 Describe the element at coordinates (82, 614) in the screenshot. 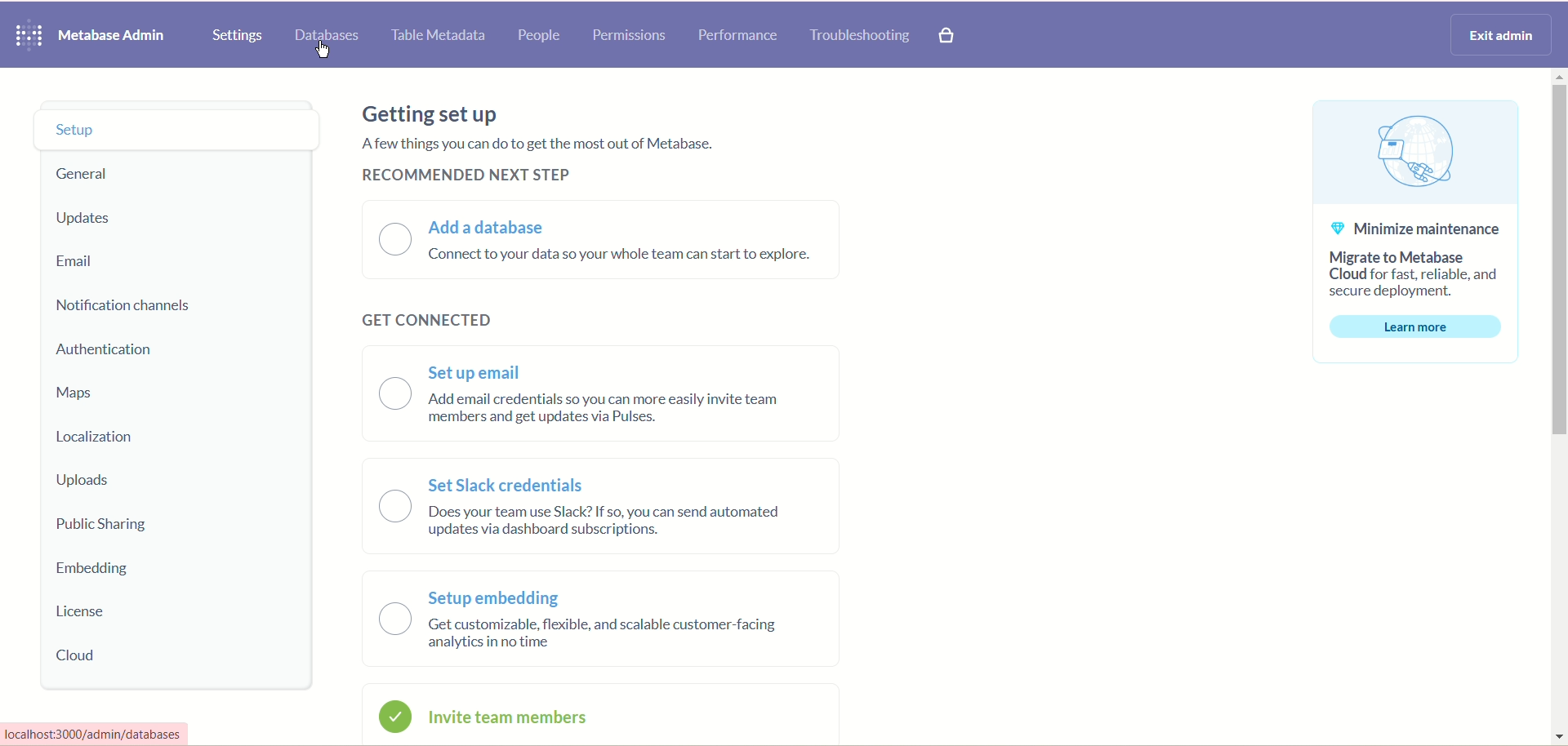

I see `license` at that location.